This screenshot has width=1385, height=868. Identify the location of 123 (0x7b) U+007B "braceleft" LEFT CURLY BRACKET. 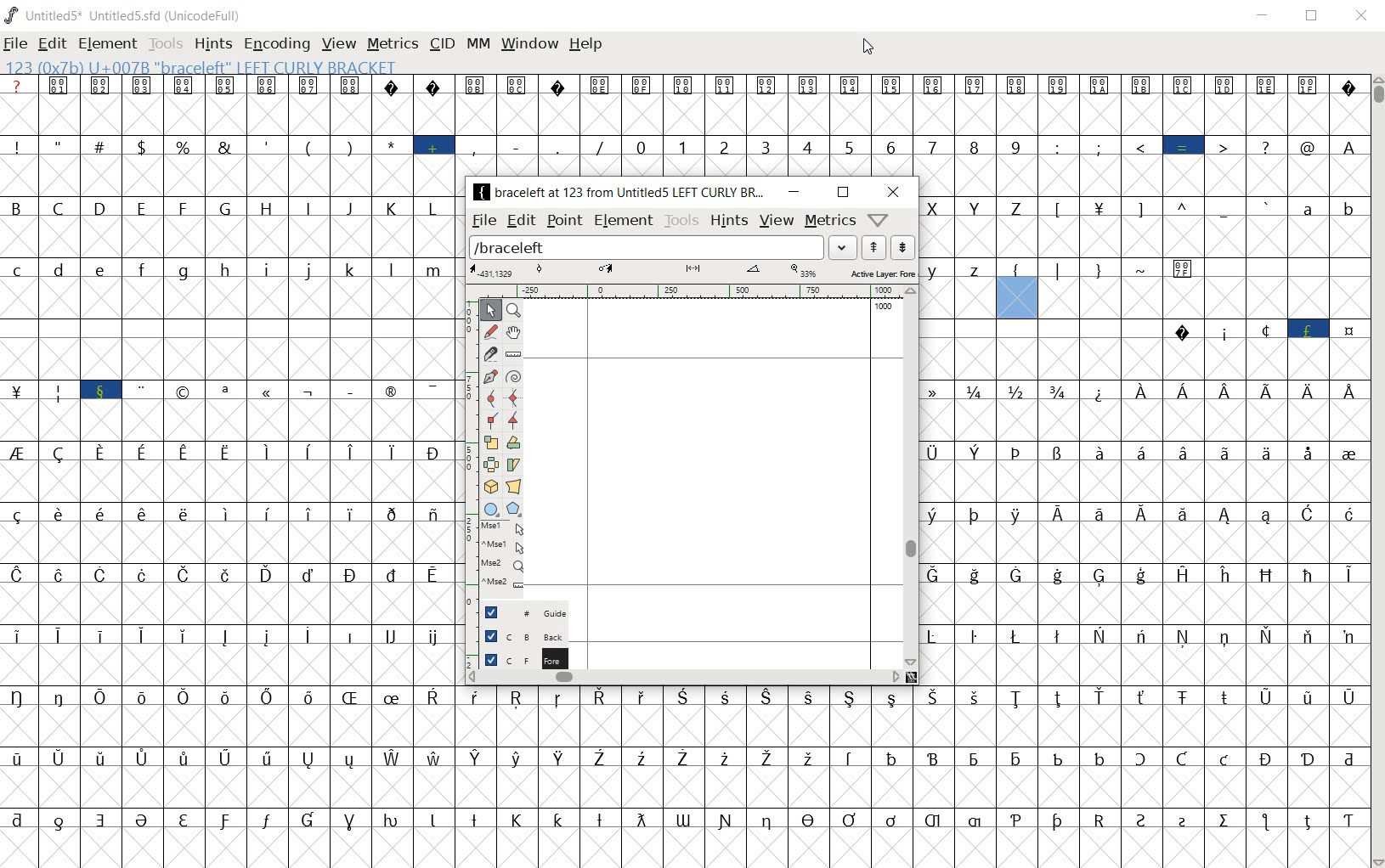
(1019, 298).